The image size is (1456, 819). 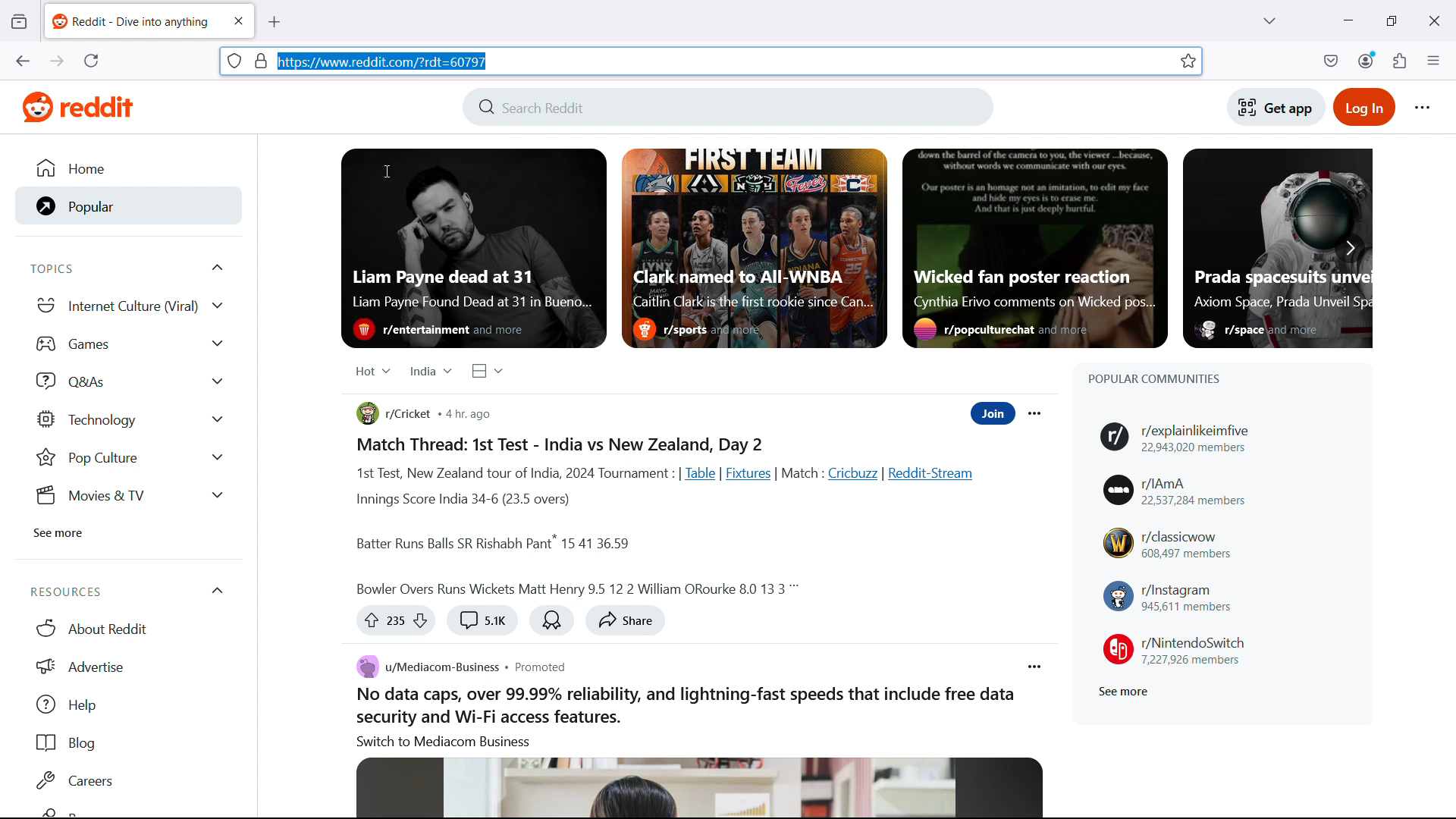 I want to click on r/IAmA, so click(x=1176, y=489).